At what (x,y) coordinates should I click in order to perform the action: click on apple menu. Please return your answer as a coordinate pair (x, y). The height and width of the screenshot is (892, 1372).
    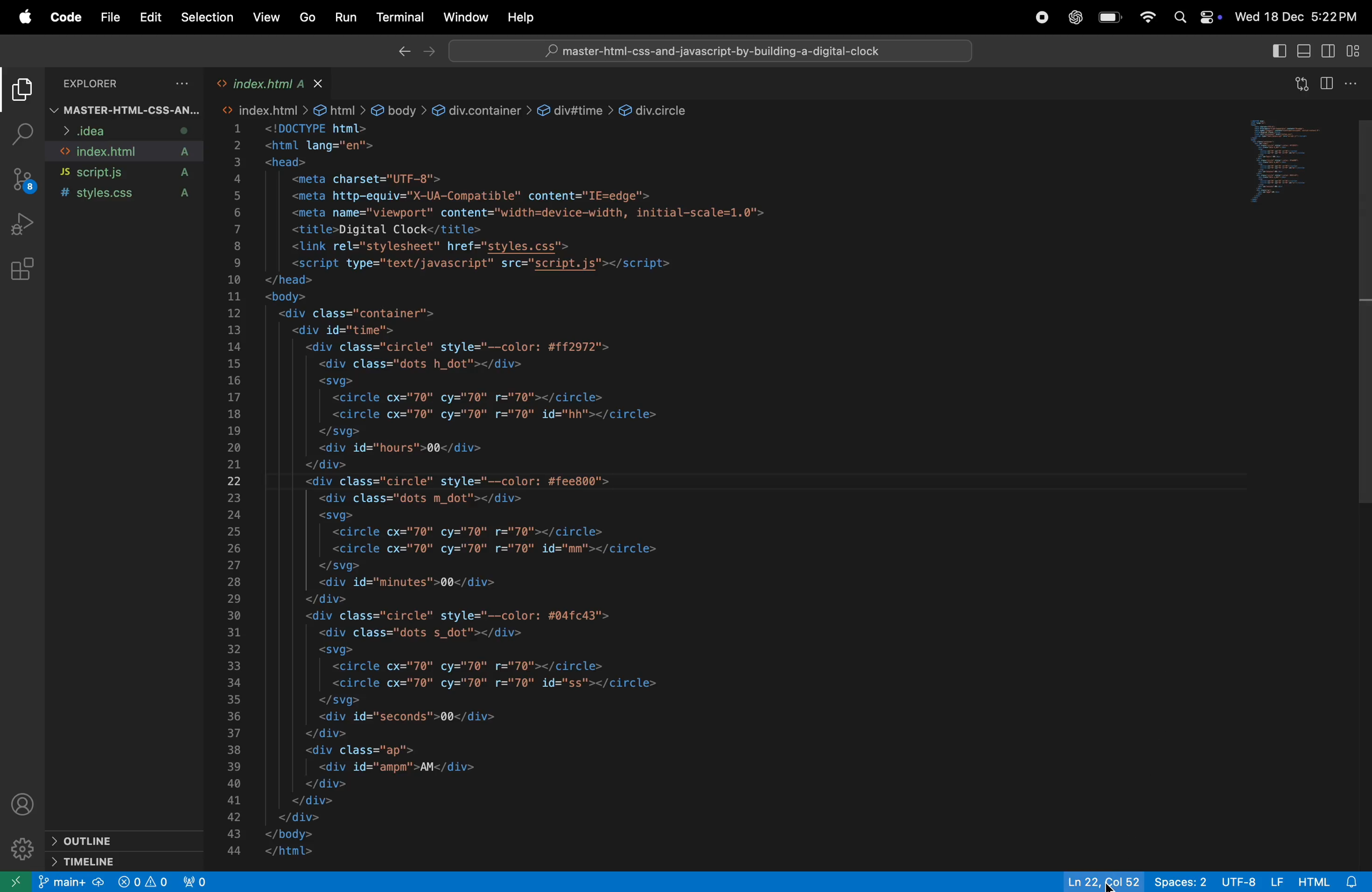
    Looking at the image, I should click on (22, 17).